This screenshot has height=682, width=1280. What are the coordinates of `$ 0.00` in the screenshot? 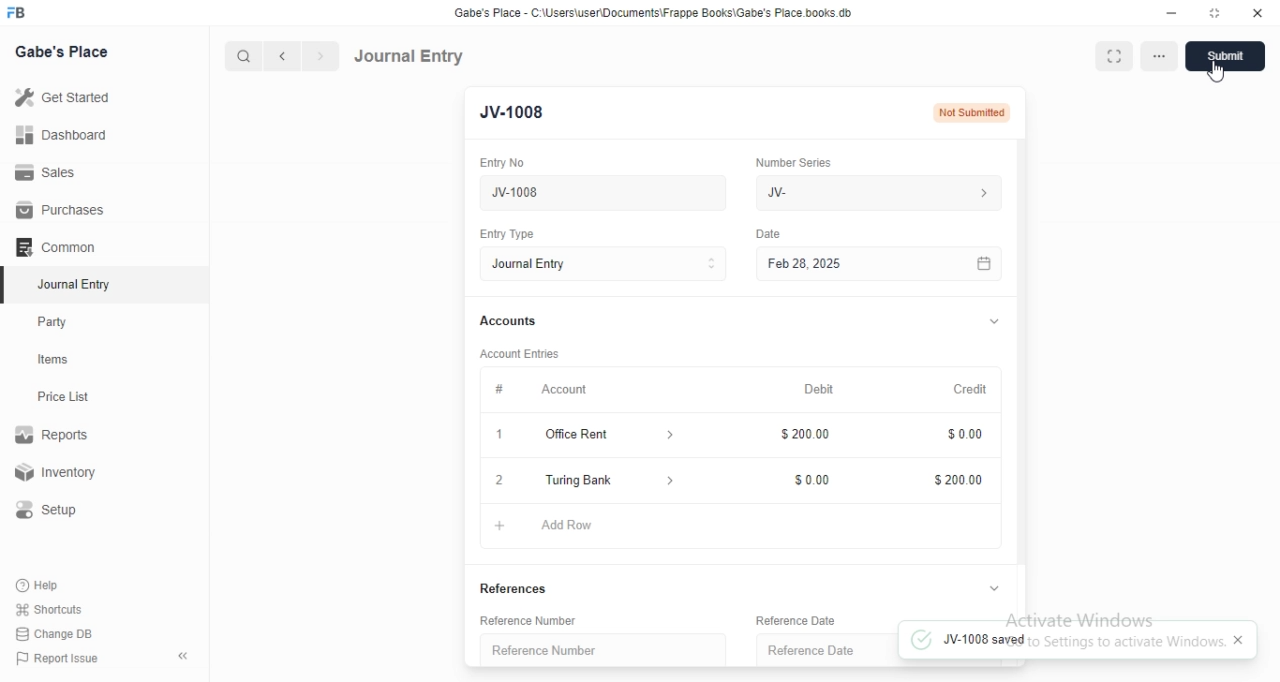 It's located at (961, 436).